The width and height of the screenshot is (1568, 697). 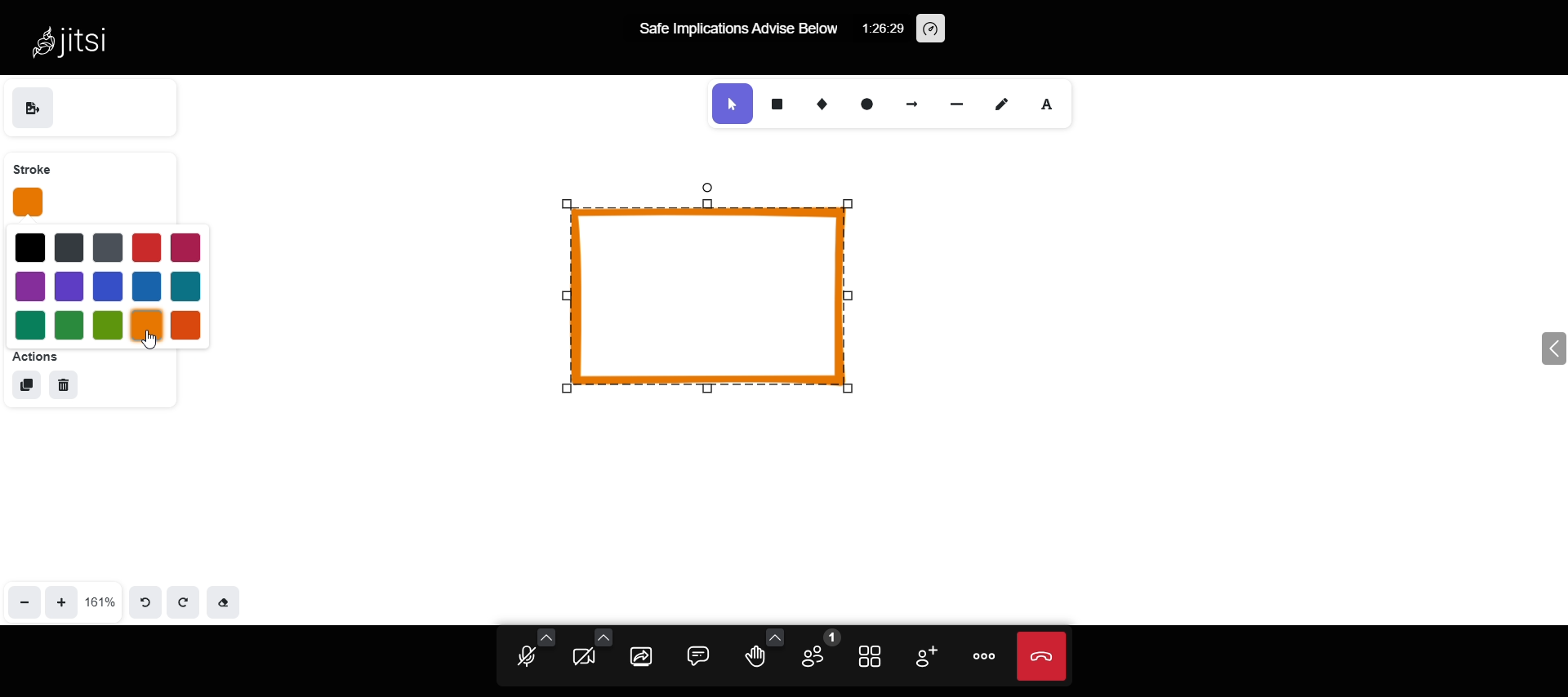 I want to click on undo, so click(x=145, y=600).